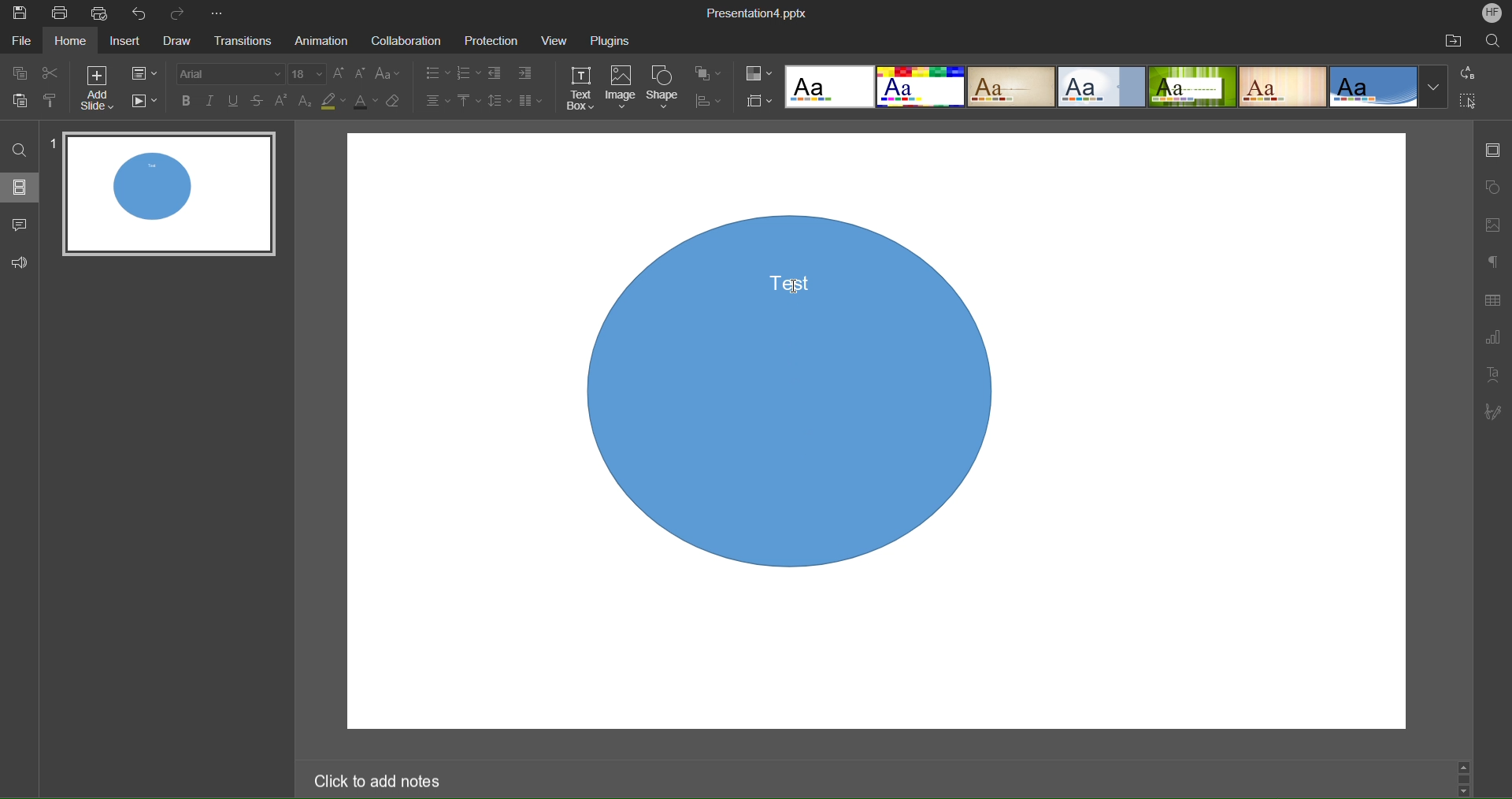  Describe the element at coordinates (213, 103) in the screenshot. I see `Italic` at that location.